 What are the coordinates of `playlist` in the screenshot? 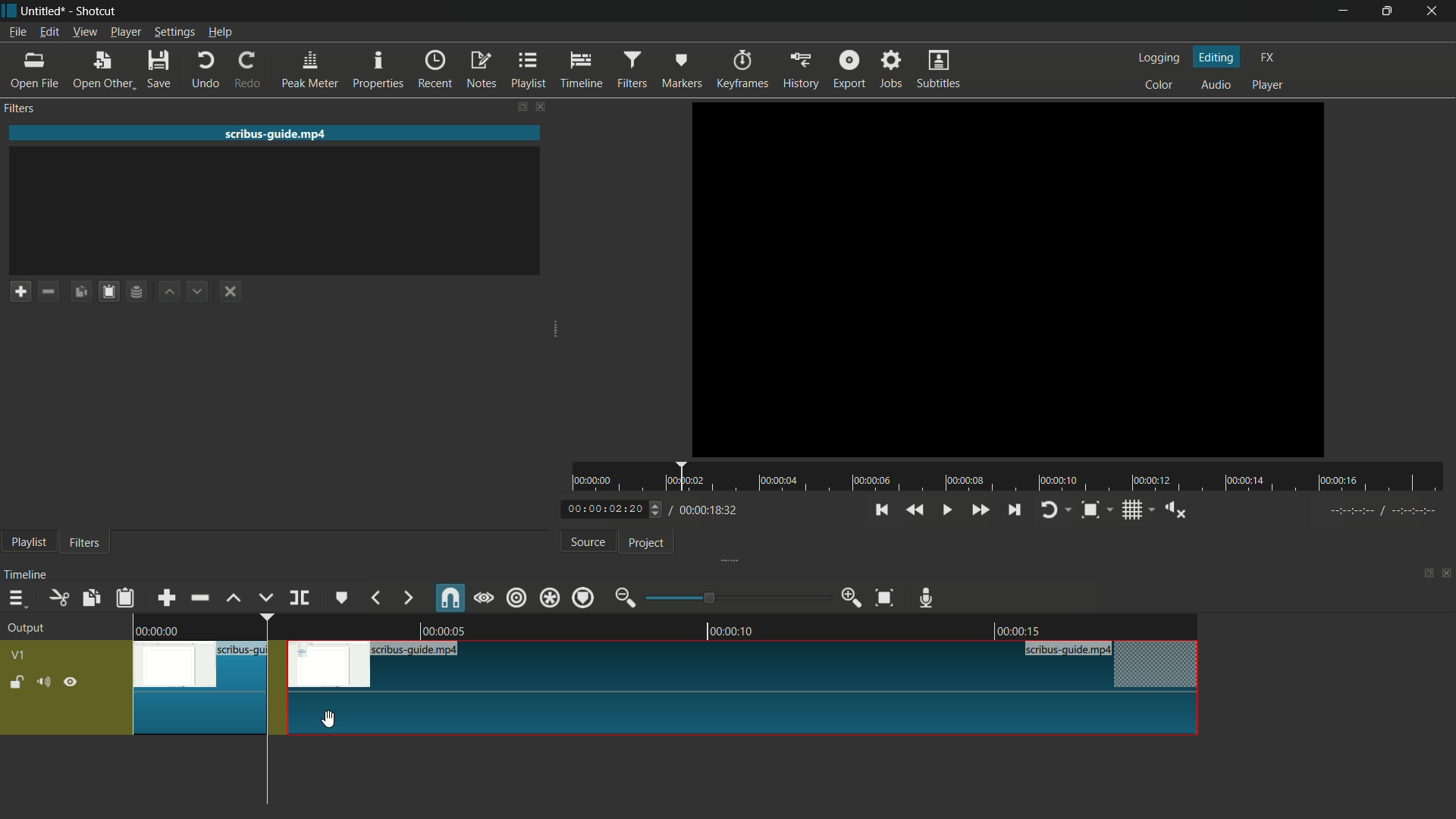 It's located at (531, 69).